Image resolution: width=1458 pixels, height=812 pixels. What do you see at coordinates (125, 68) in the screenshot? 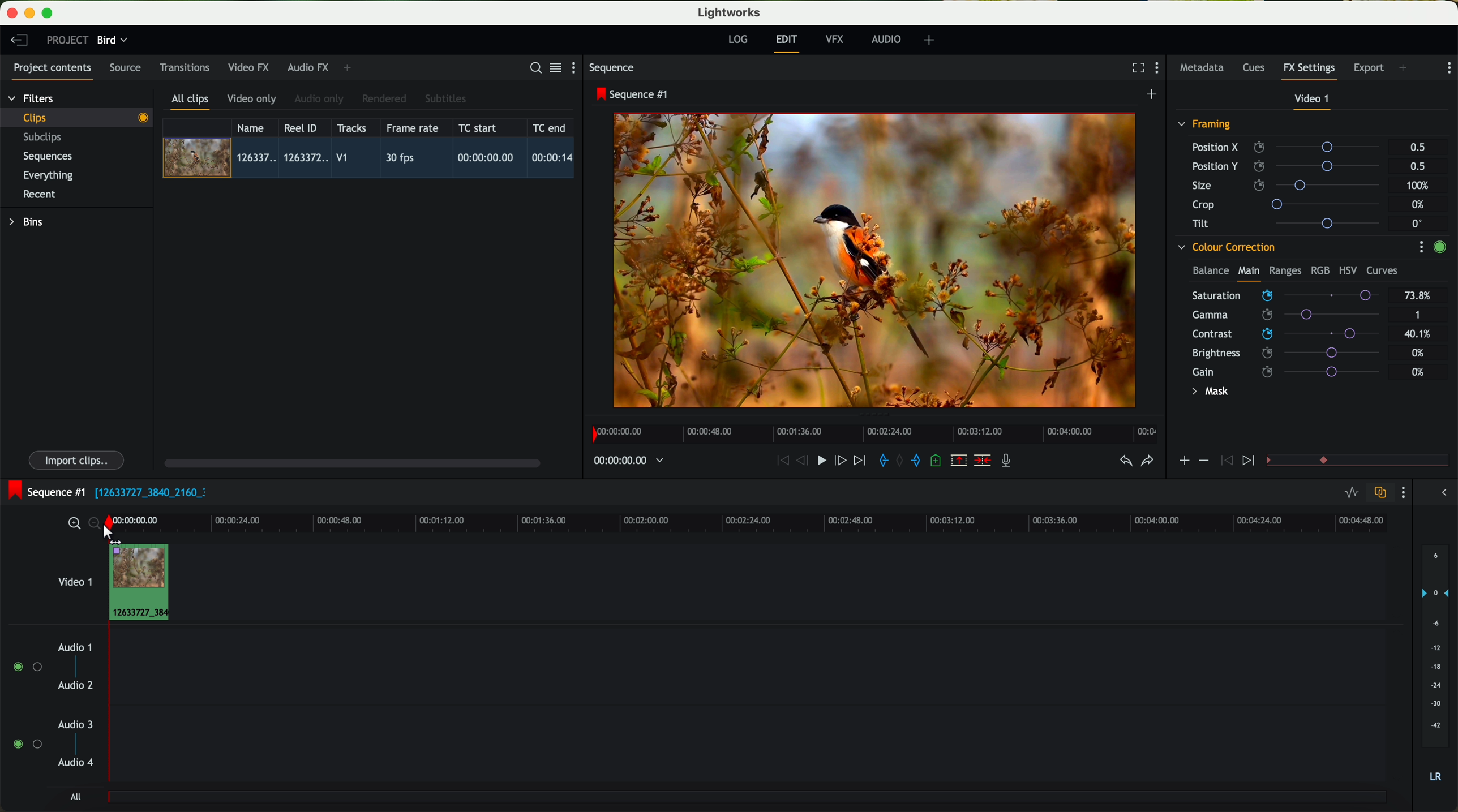
I see `source` at bounding box center [125, 68].